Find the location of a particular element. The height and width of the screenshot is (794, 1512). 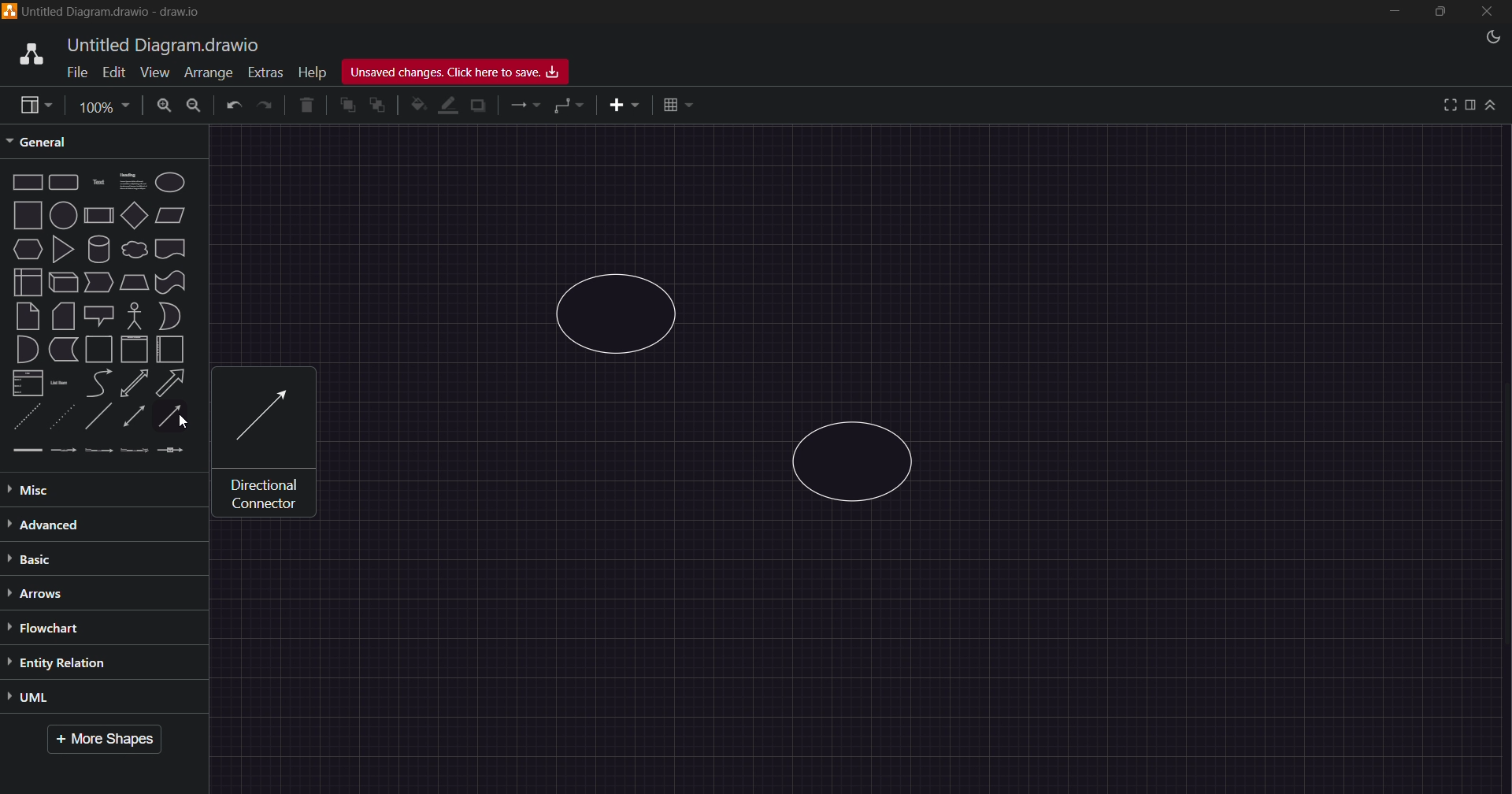

title is located at coordinates (166, 43).